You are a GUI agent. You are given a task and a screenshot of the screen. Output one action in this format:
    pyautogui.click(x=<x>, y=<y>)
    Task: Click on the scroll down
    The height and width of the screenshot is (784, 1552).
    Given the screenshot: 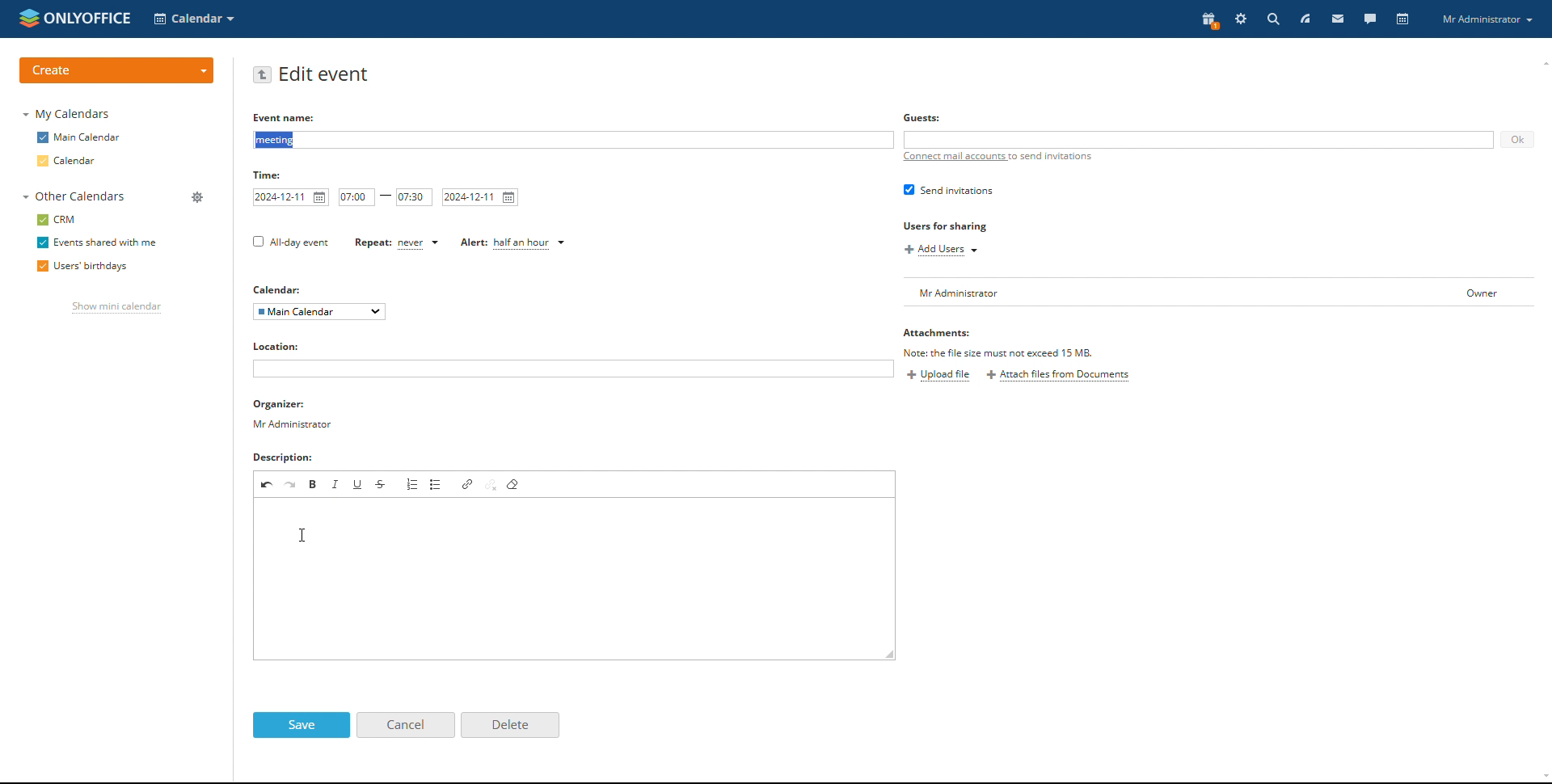 What is the action you would take?
    pyautogui.click(x=1542, y=778)
    